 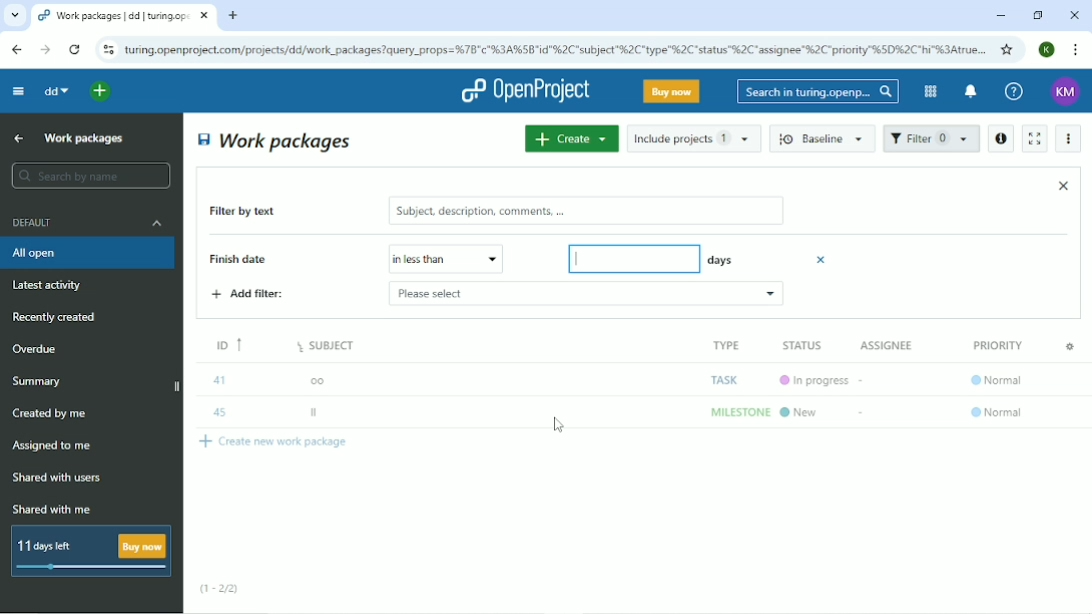 I want to click on Back, so click(x=16, y=49).